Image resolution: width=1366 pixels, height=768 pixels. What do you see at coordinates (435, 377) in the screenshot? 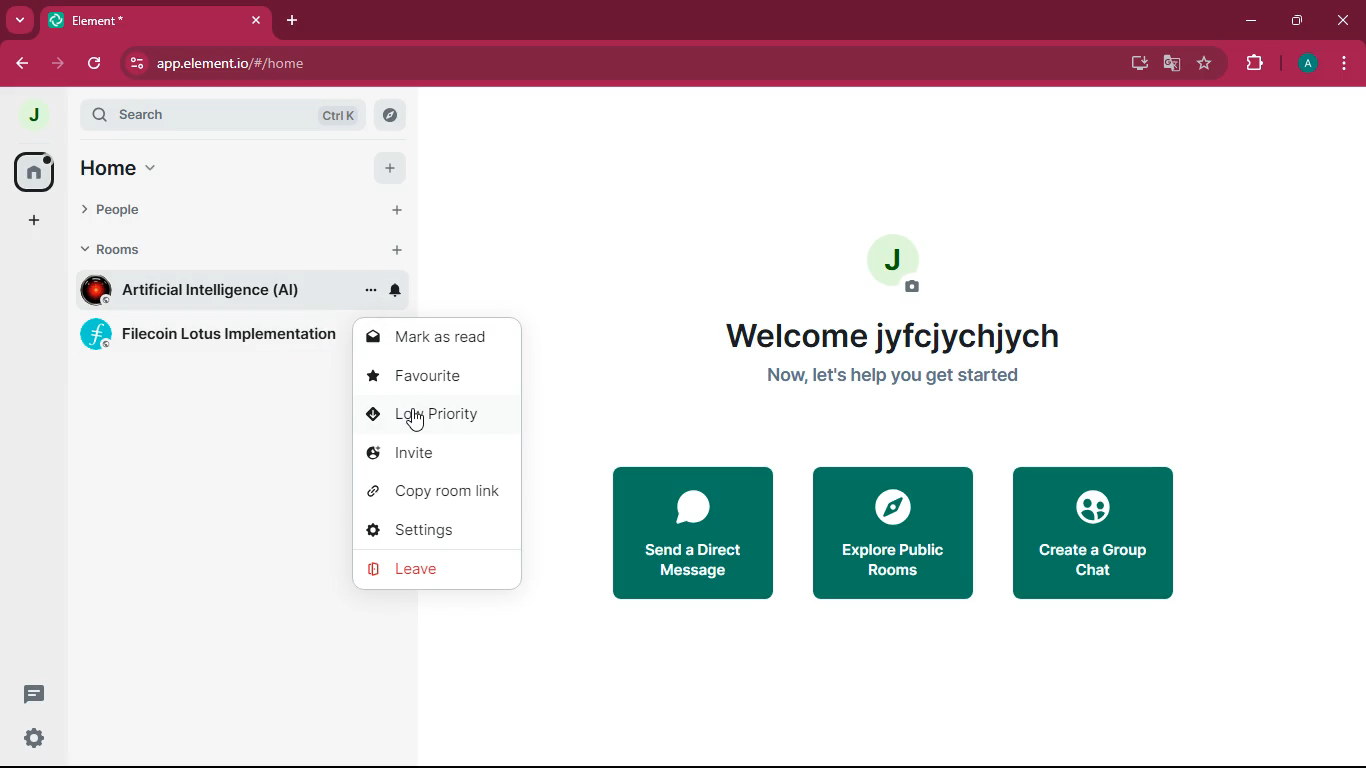
I see `favourite` at bounding box center [435, 377].